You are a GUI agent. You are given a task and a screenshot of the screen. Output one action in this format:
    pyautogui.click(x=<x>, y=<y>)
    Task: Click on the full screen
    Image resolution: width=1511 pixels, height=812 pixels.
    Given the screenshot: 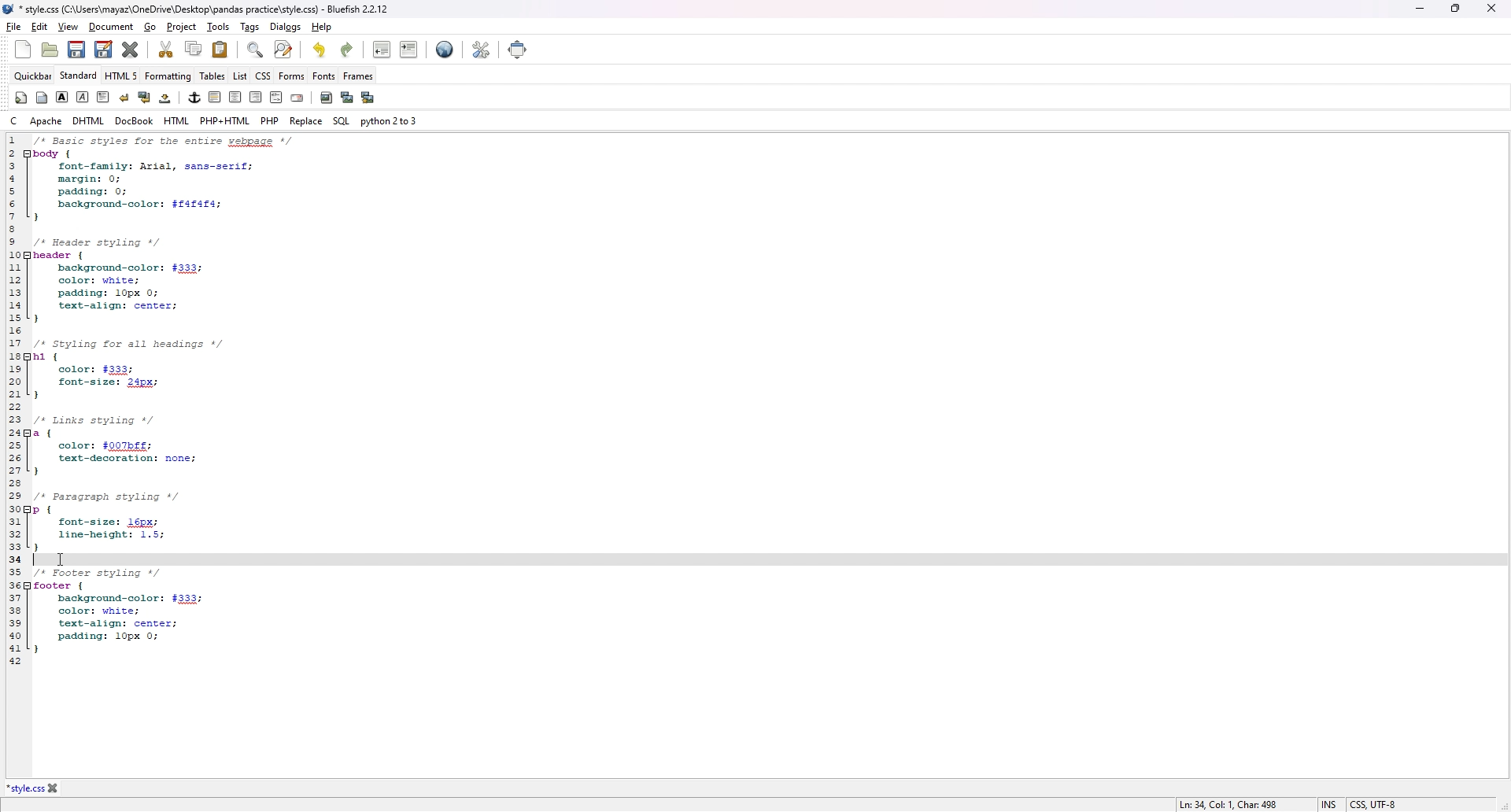 What is the action you would take?
    pyautogui.click(x=517, y=49)
    